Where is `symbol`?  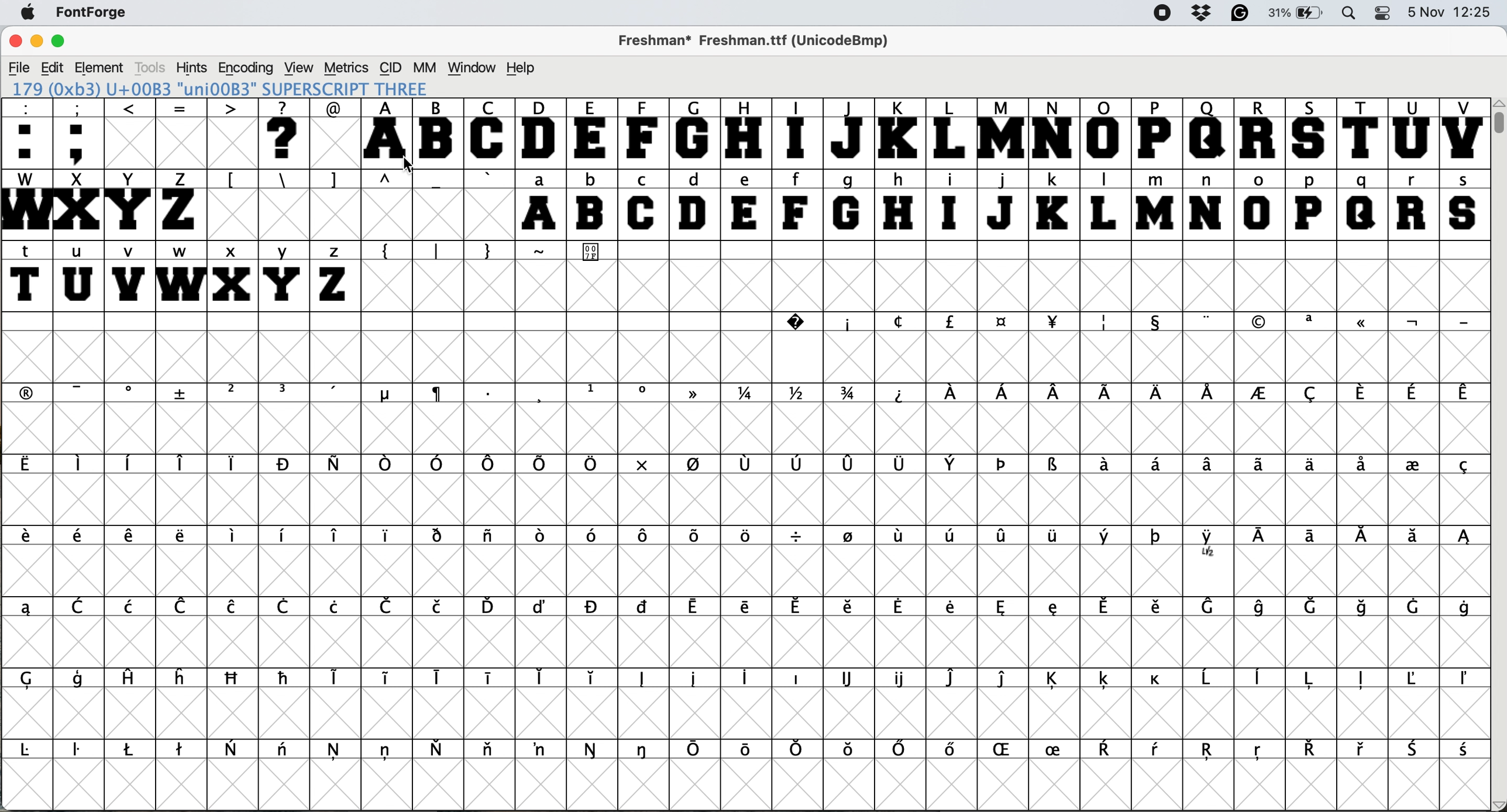
symbol is located at coordinates (952, 466).